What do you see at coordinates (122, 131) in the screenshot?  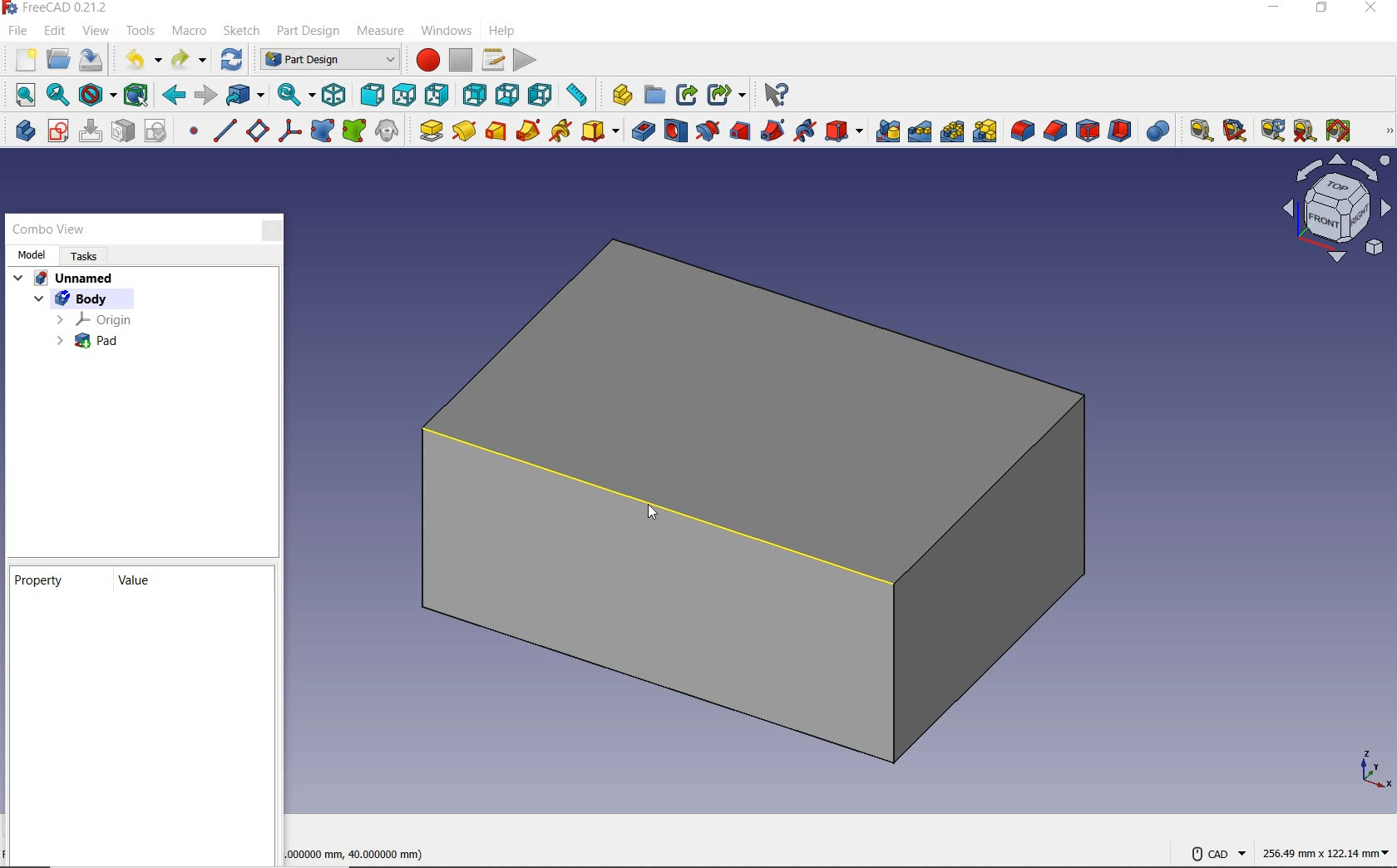 I see `map sketch to face` at bounding box center [122, 131].